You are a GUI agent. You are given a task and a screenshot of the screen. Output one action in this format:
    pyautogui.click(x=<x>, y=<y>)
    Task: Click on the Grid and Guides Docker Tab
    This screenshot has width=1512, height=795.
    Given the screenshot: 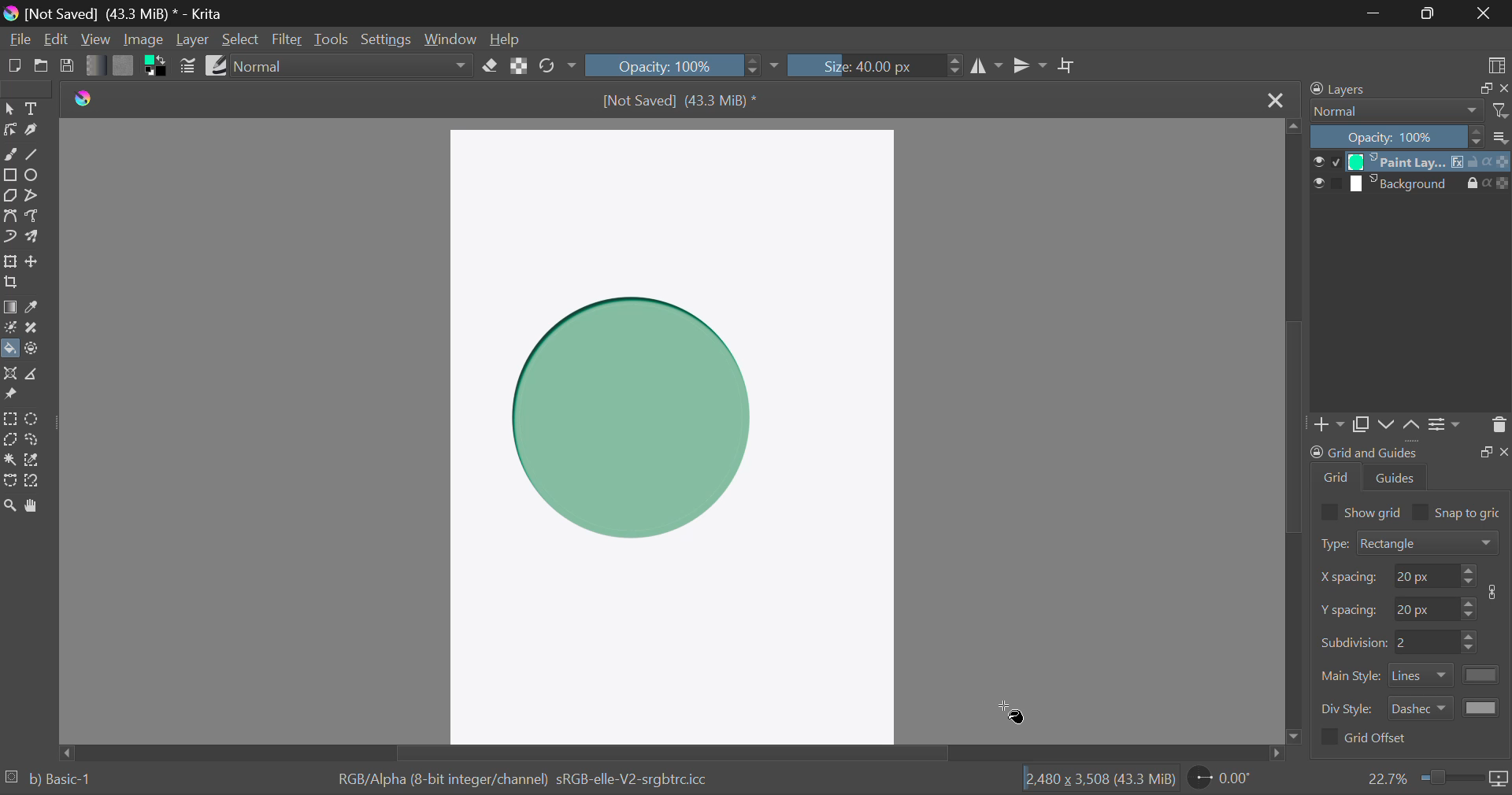 What is the action you would take?
    pyautogui.click(x=1410, y=469)
    